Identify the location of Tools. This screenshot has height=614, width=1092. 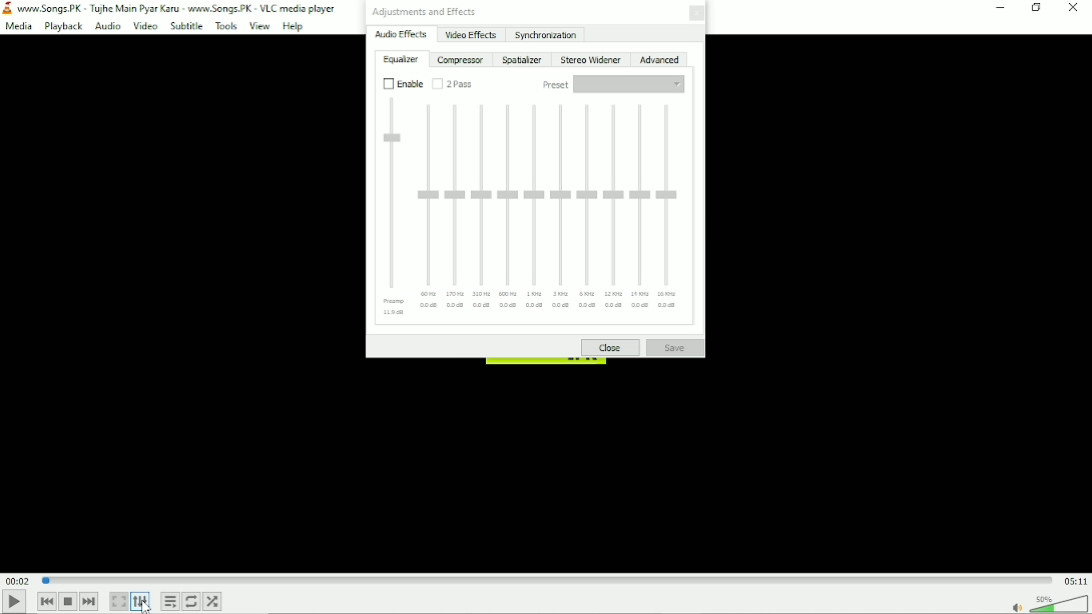
(225, 27).